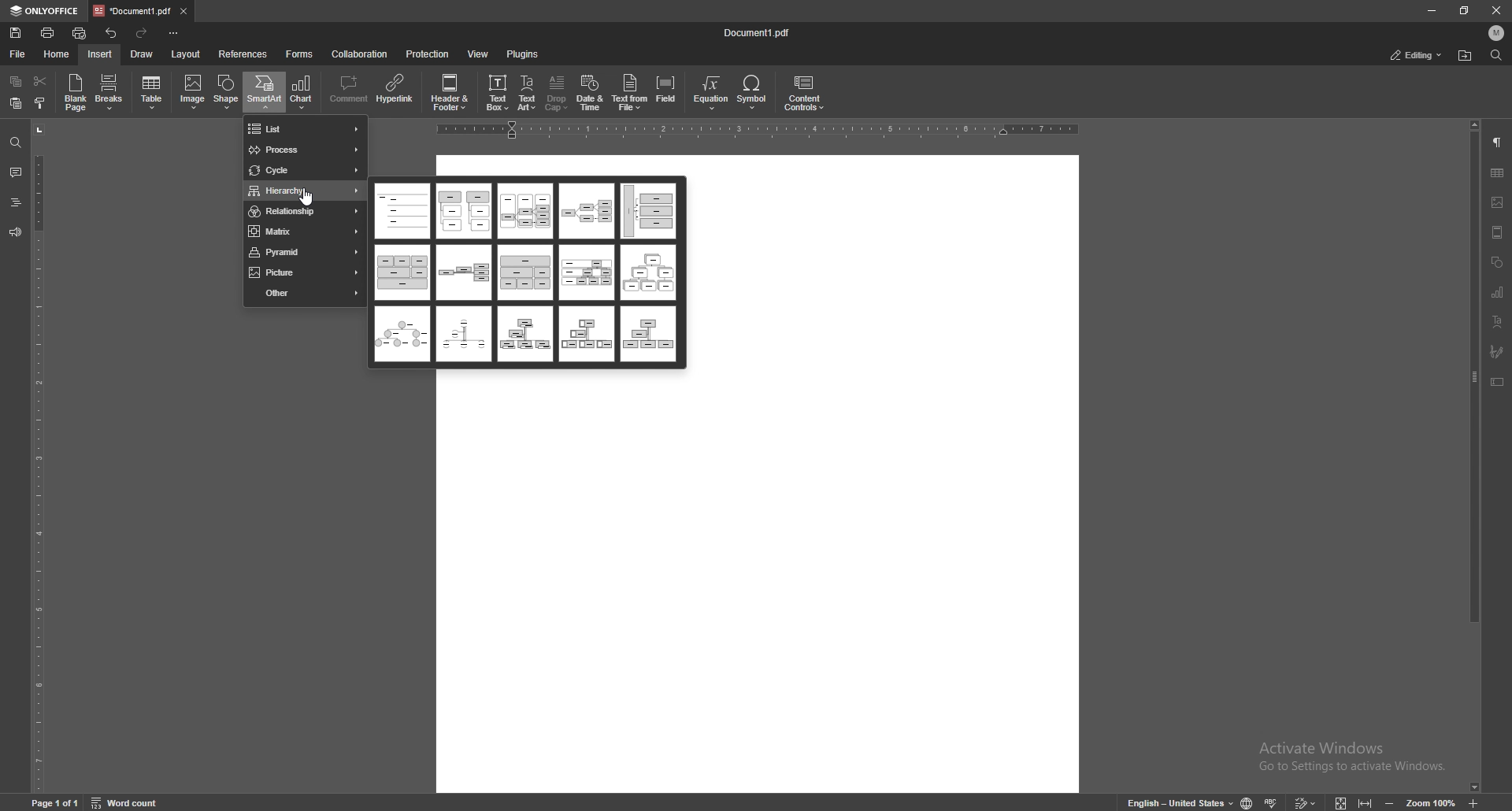 The height and width of the screenshot is (811, 1512). What do you see at coordinates (1464, 10) in the screenshot?
I see `resize` at bounding box center [1464, 10].